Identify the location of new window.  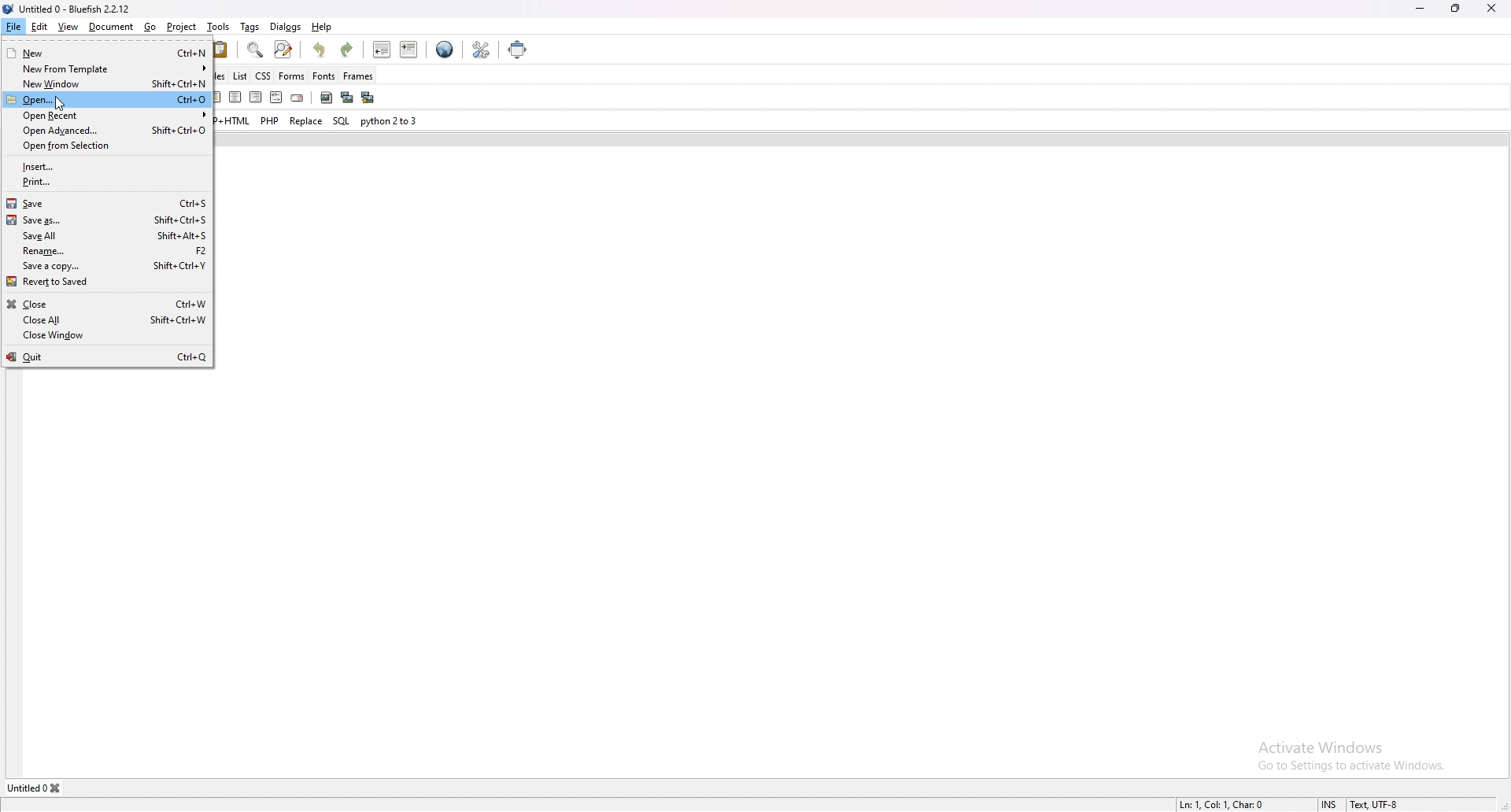
(54, 83).